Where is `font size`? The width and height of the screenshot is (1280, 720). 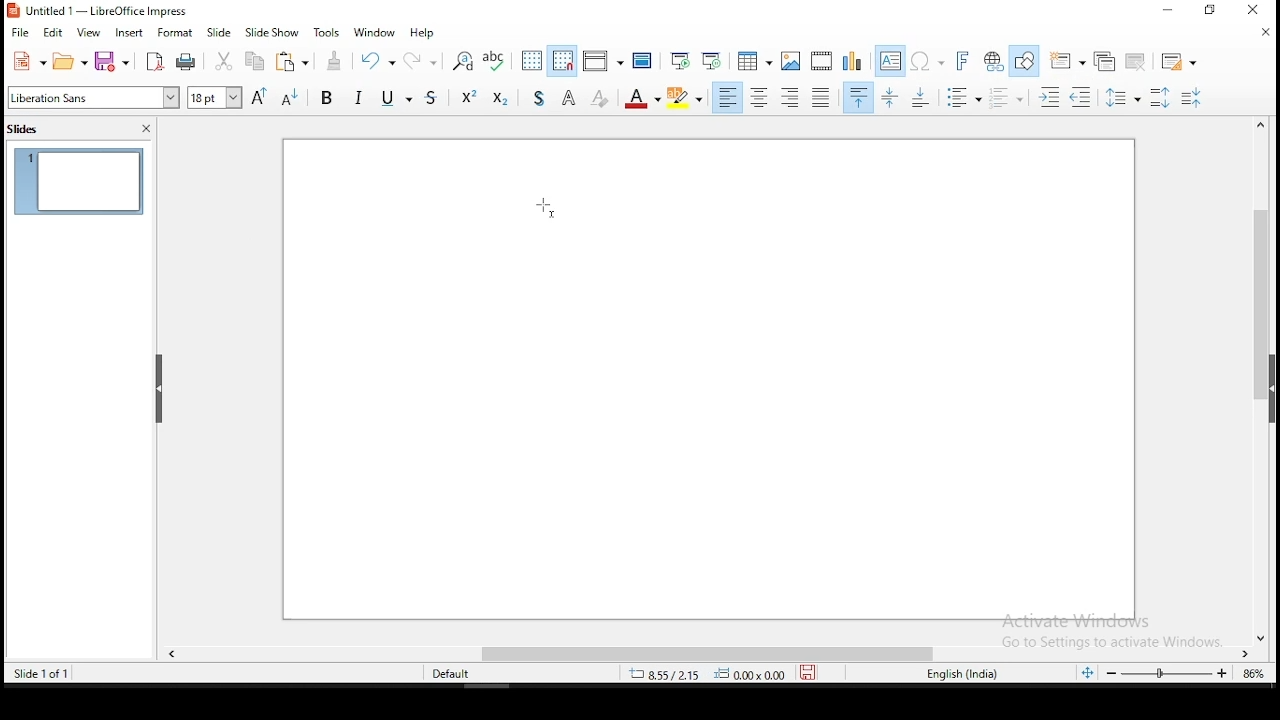 font size is located at coordinates (212, 96).